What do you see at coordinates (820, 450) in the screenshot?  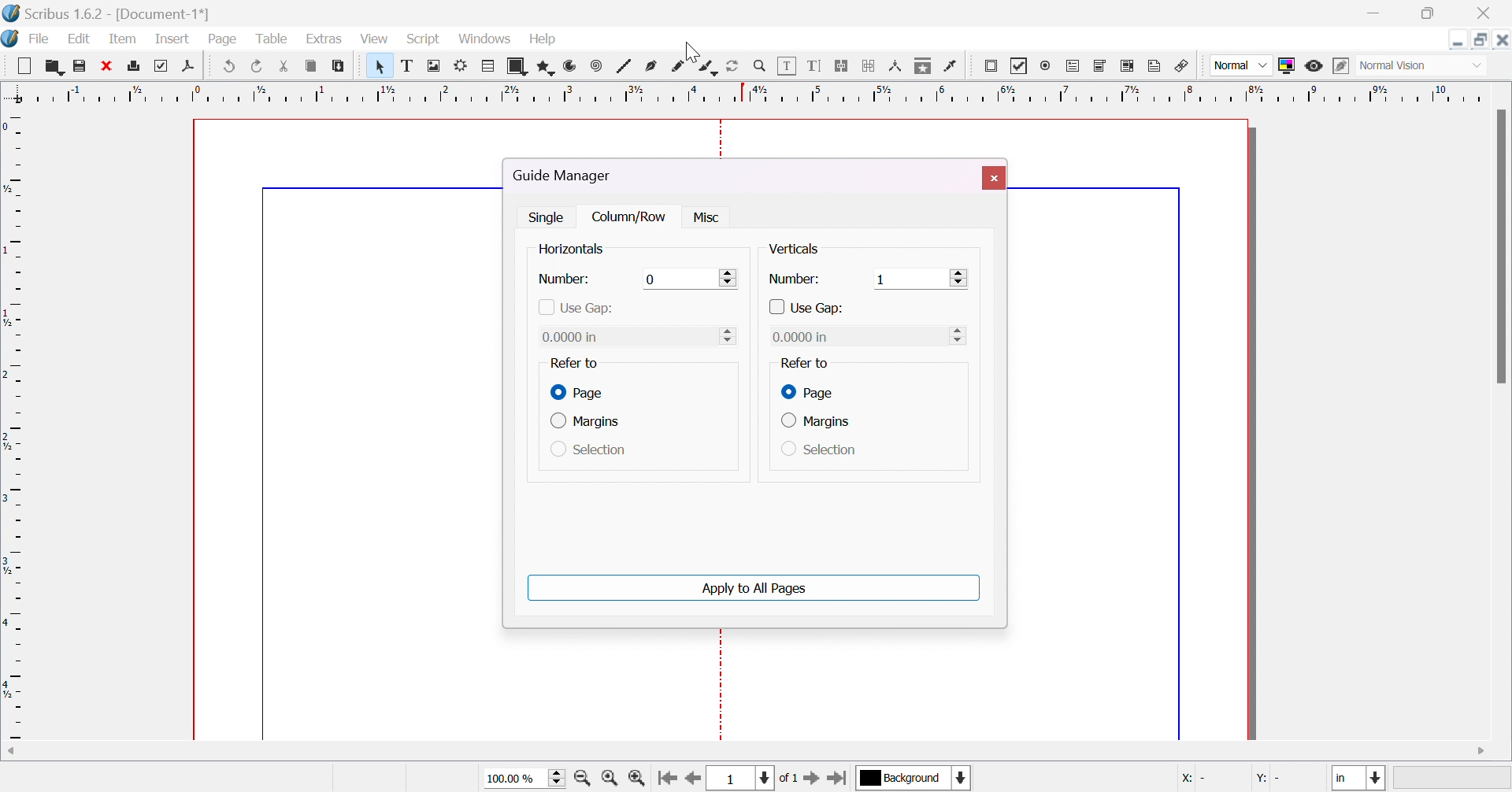 I see `selection` at bounding box center [820, 450].